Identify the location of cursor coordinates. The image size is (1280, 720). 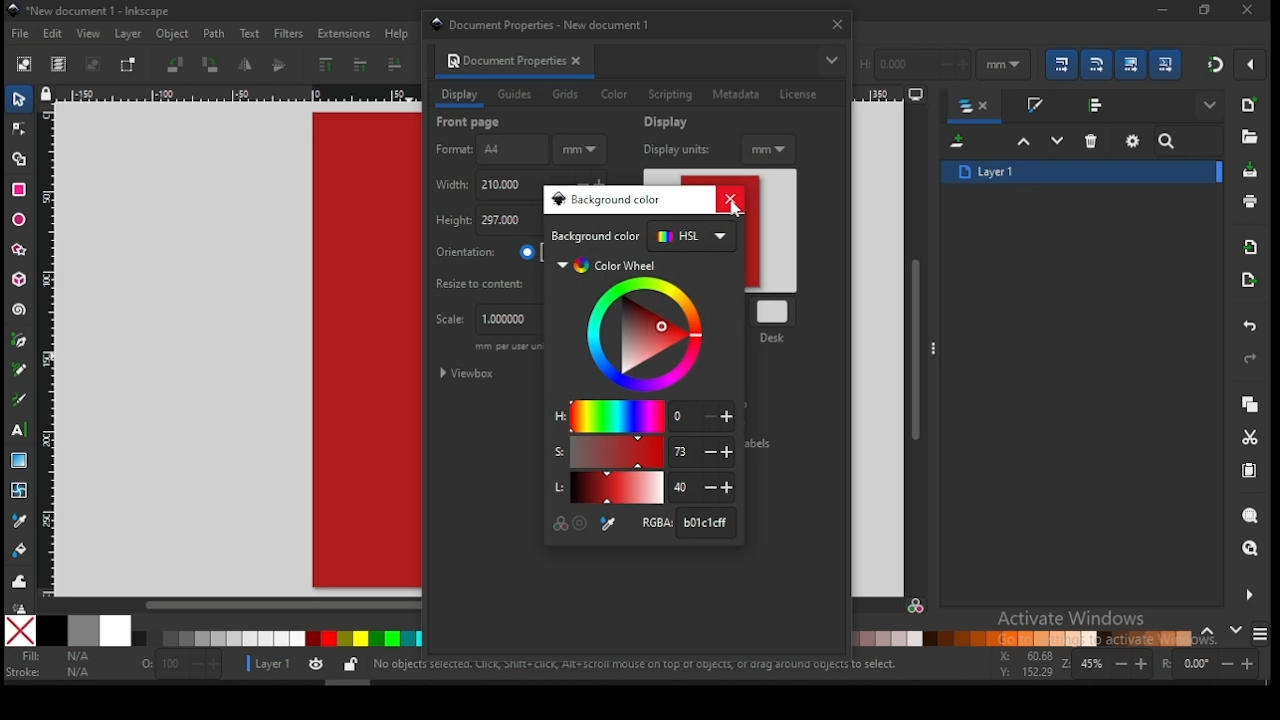
(1023, 662).